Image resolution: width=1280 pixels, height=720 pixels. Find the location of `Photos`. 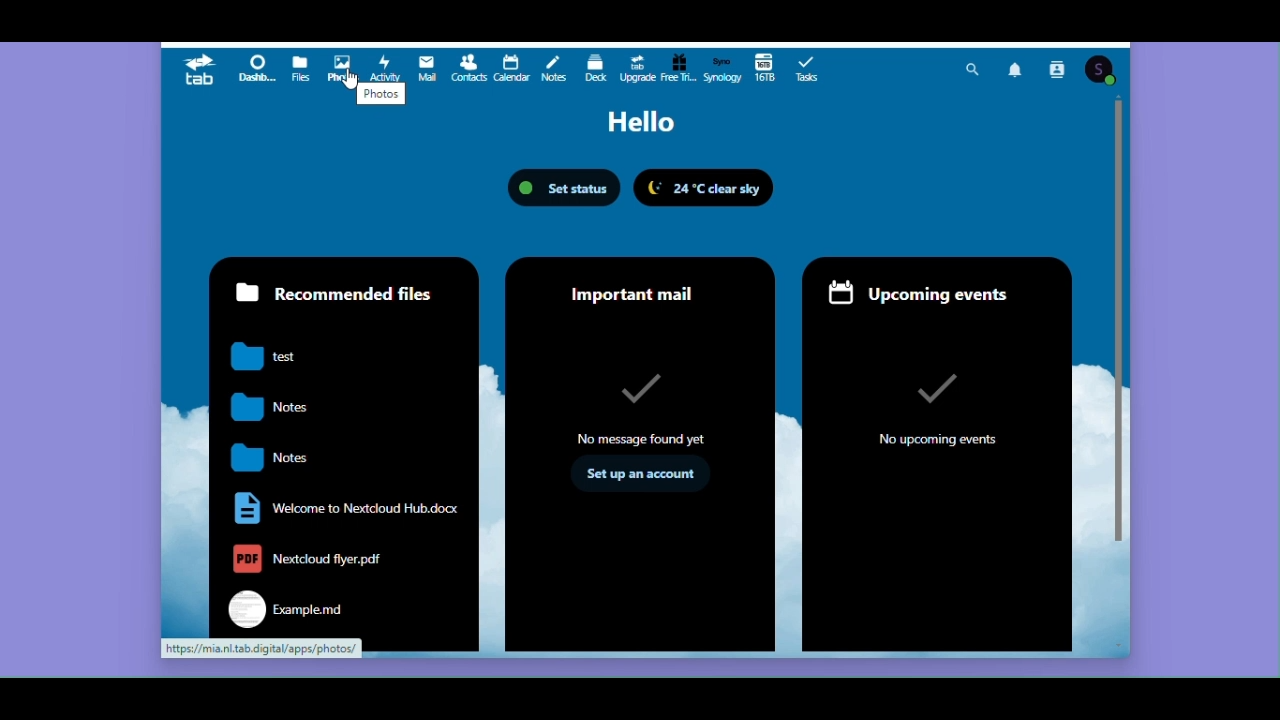

Photos is located at coordinates (382, 97).